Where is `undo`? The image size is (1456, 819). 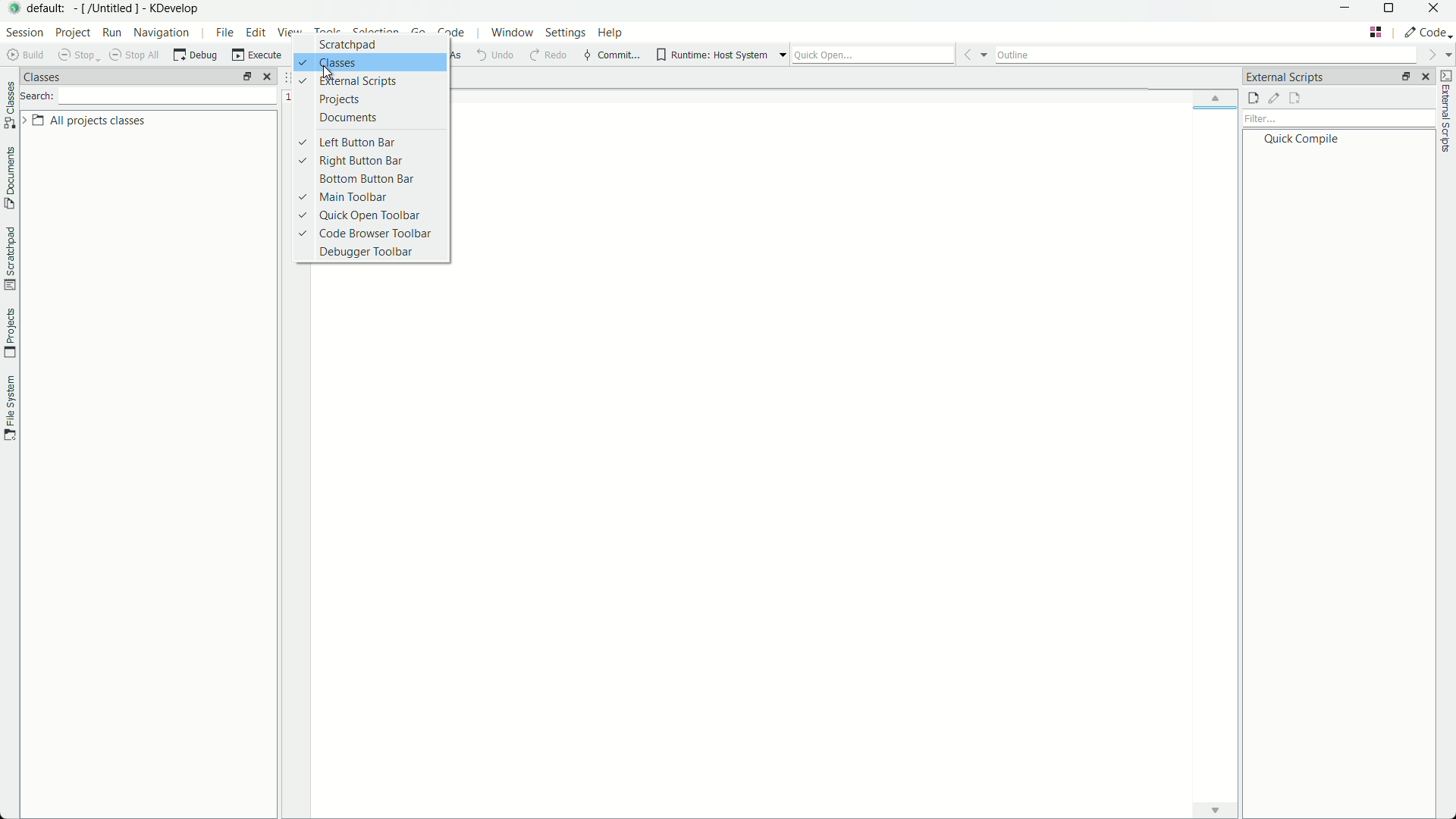 undo is located at coordinates (494, 55).